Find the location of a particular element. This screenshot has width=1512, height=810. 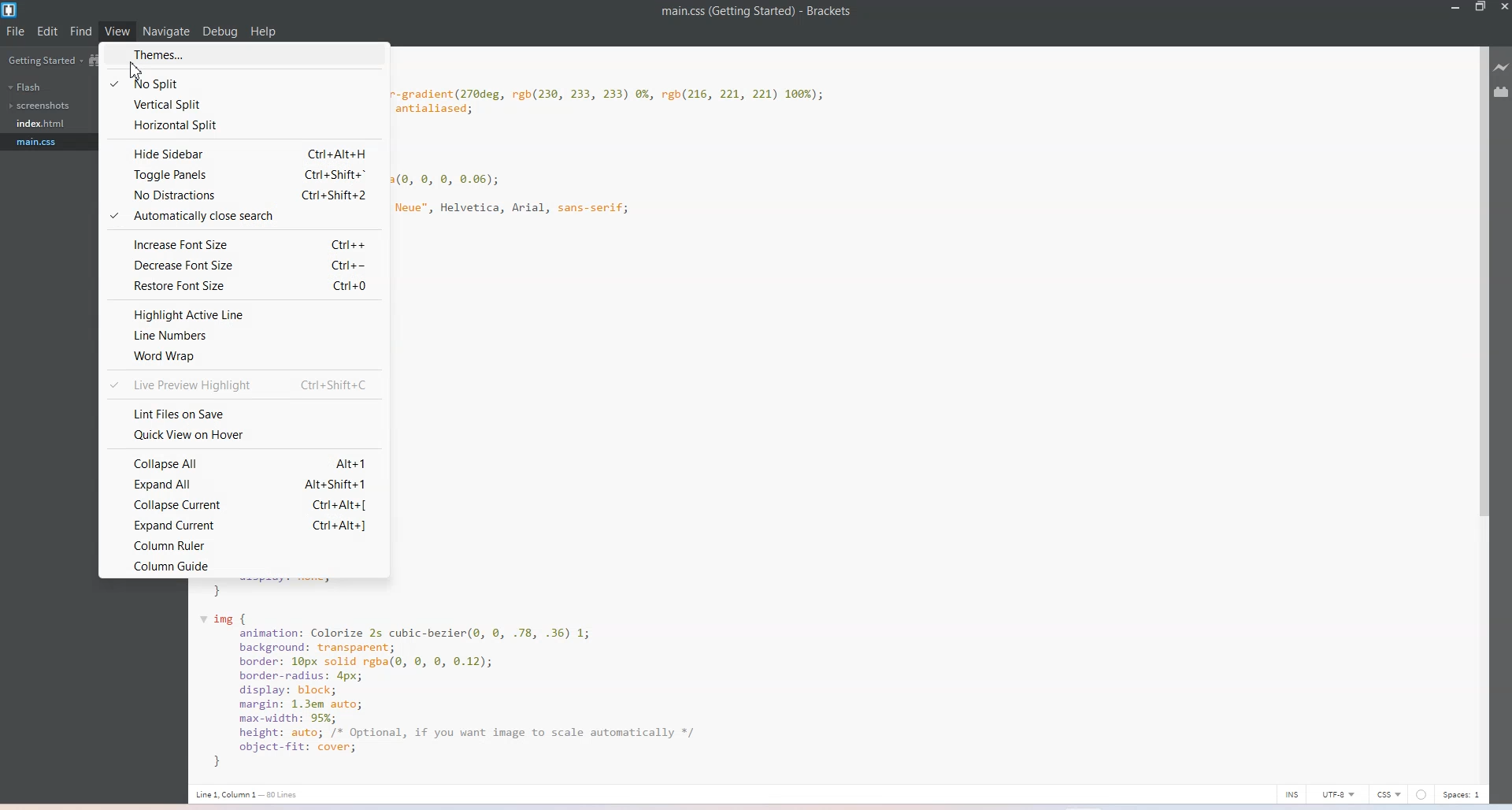

Decrease font size is located at coordinates (244, 266).